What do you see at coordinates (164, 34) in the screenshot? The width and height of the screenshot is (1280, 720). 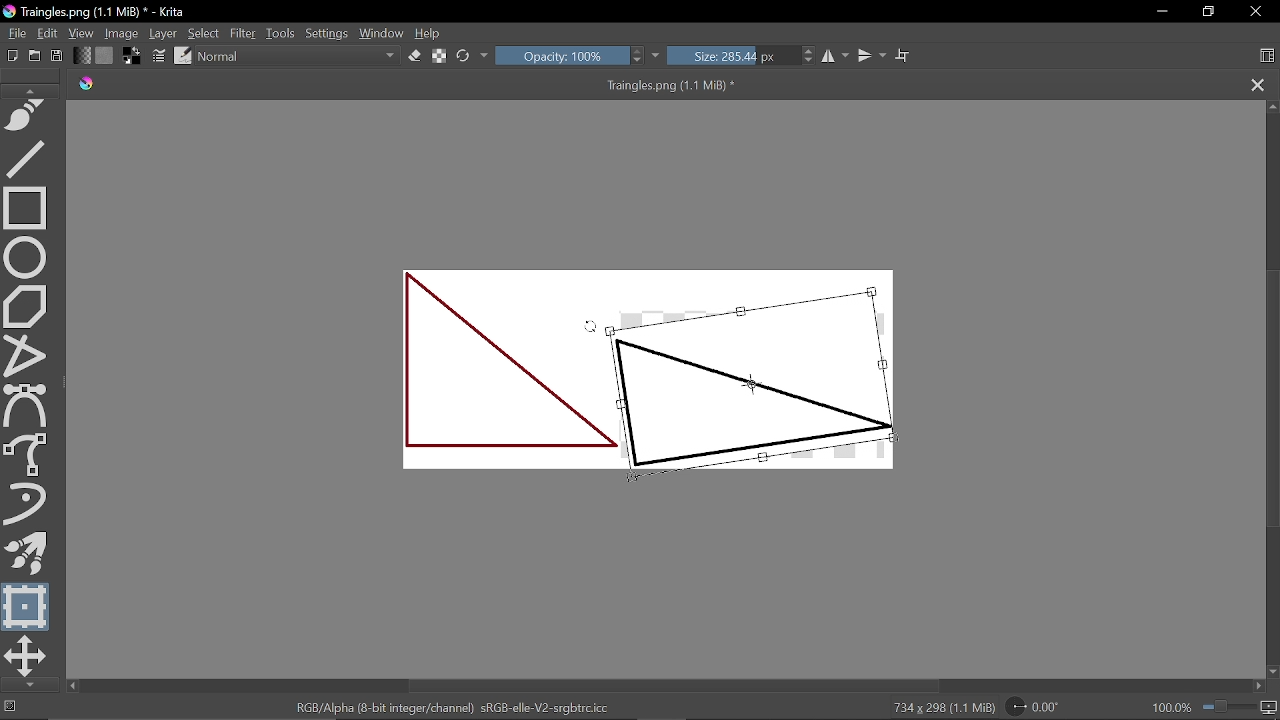 I see `Layer` at bounding box center [164, 34].